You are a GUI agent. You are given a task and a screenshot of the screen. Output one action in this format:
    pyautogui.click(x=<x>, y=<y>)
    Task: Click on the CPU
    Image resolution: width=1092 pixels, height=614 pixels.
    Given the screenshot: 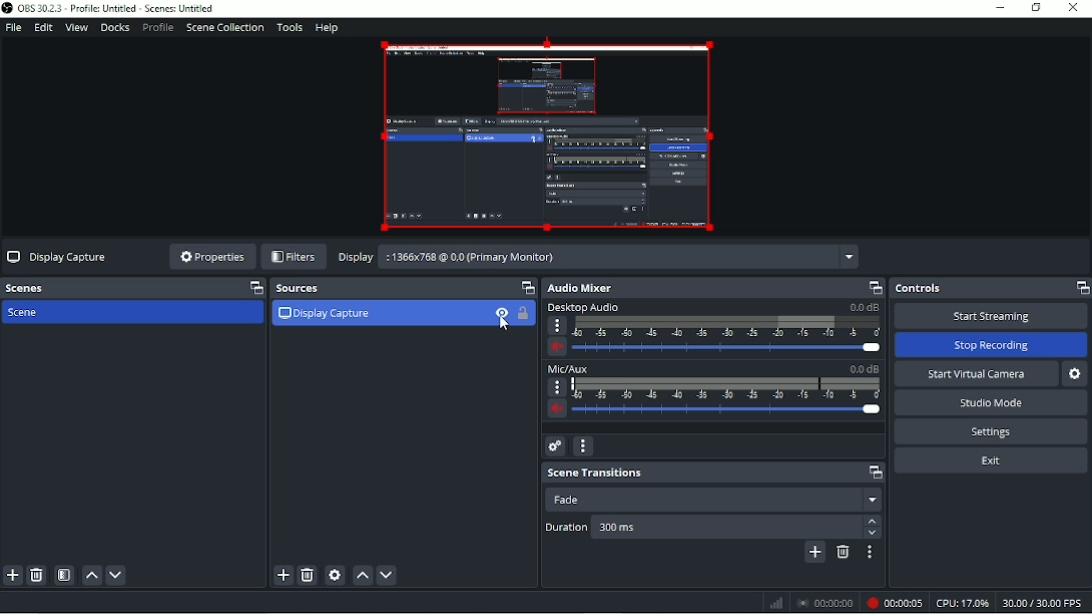 What is the action you would take?
    pyautogui.click(x=962, y=603)
    